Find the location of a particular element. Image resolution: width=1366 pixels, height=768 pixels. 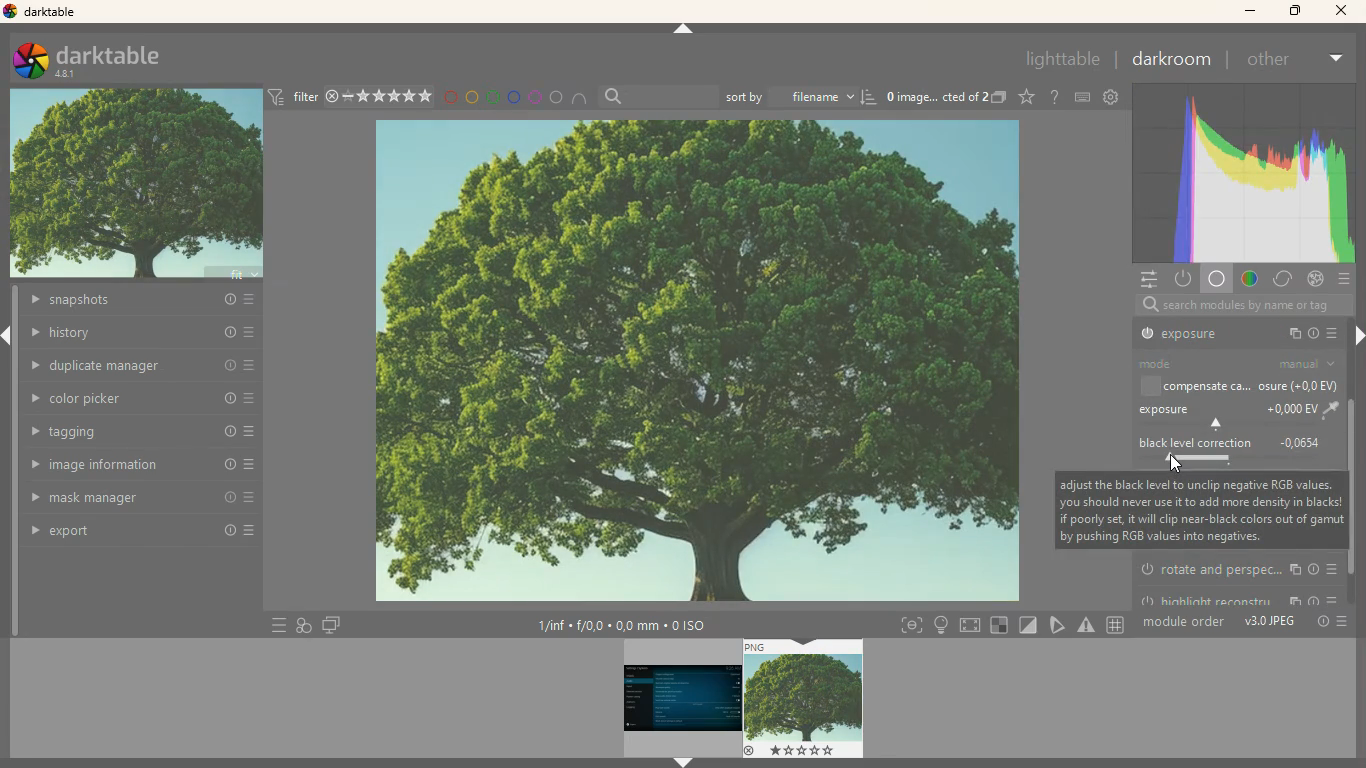

exposure is located at coordinates (1235, 416).